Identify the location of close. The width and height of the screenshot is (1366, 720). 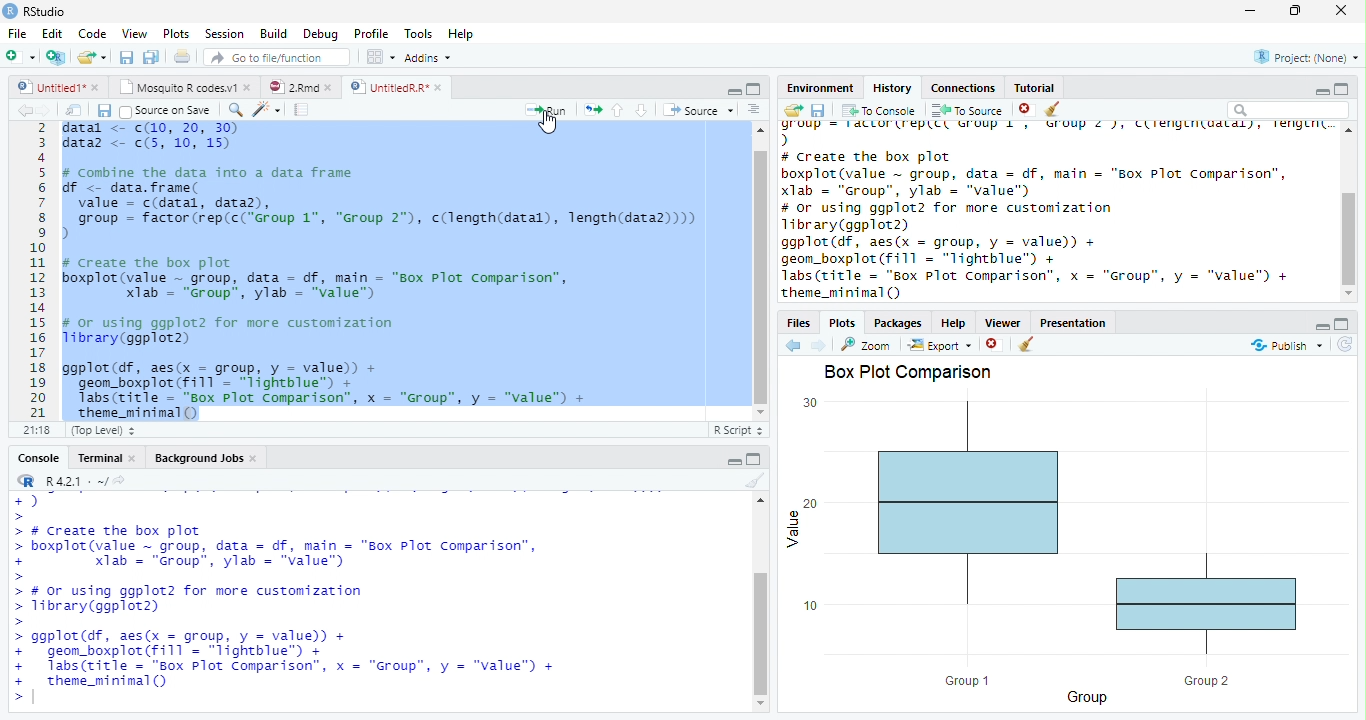
(1341, 10).